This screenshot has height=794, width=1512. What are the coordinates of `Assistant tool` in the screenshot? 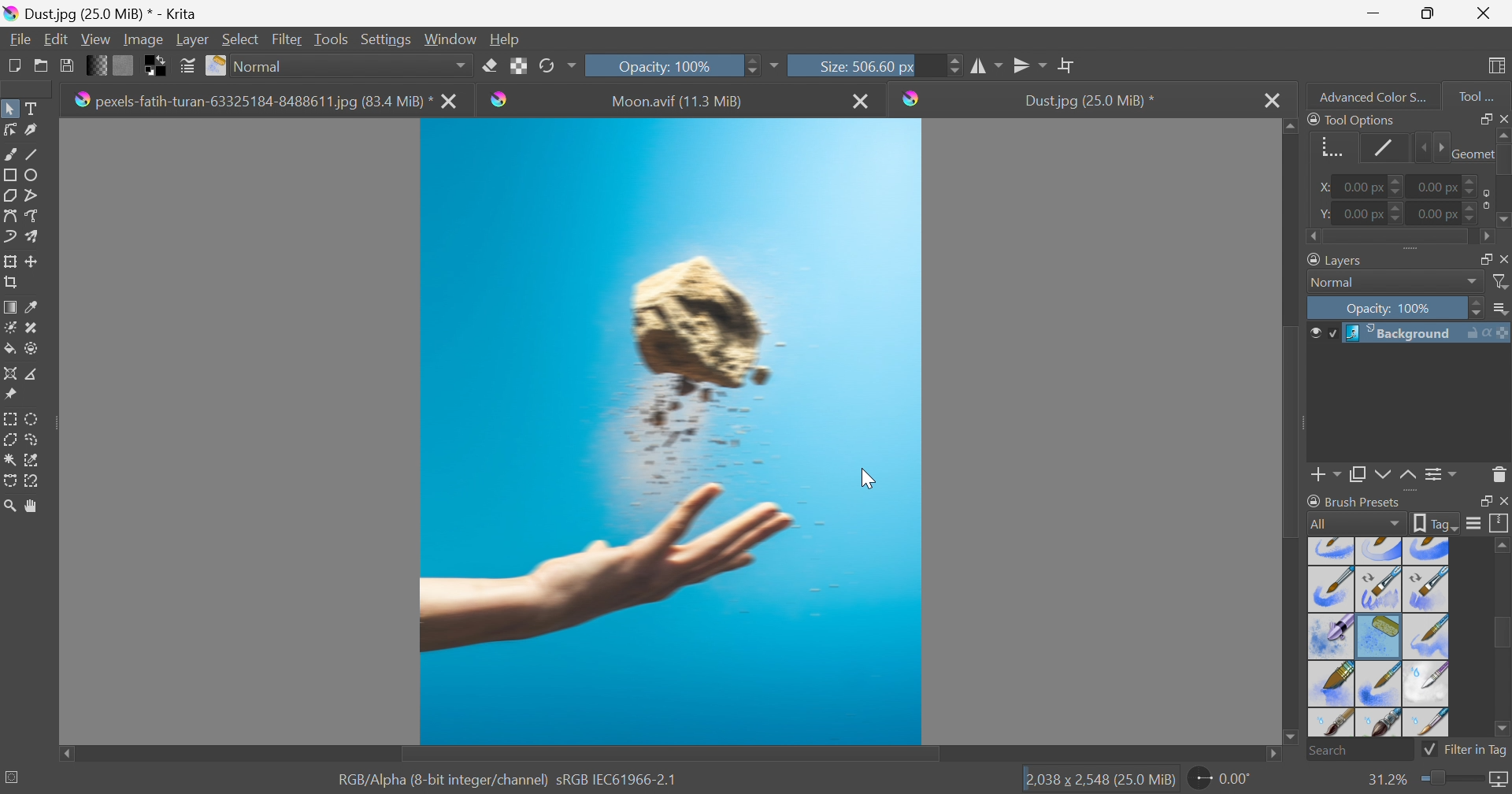 It's located at (9, 372).